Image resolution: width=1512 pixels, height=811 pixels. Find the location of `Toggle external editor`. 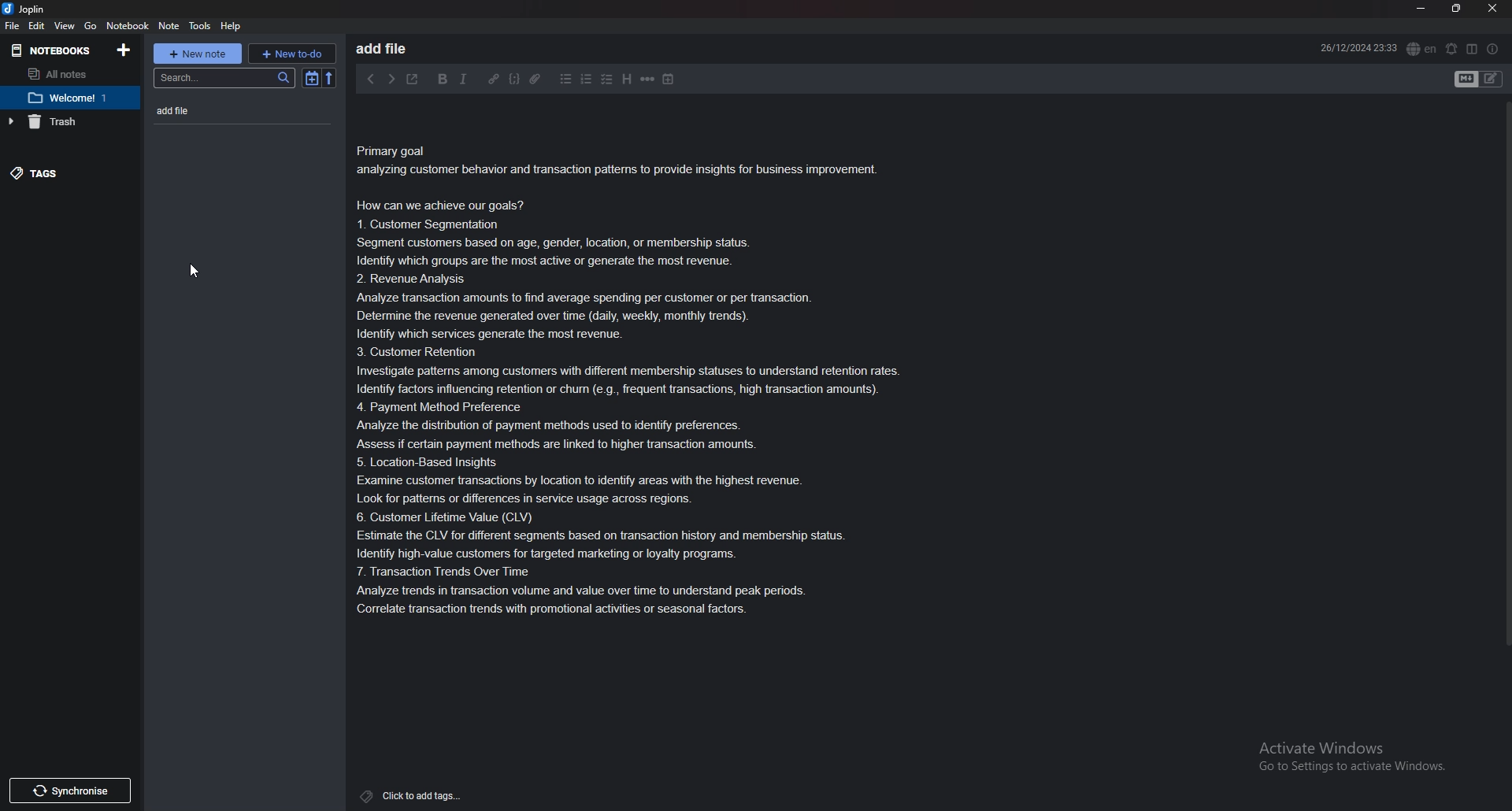

Toggle external editor is located at coordinates (414, 80).